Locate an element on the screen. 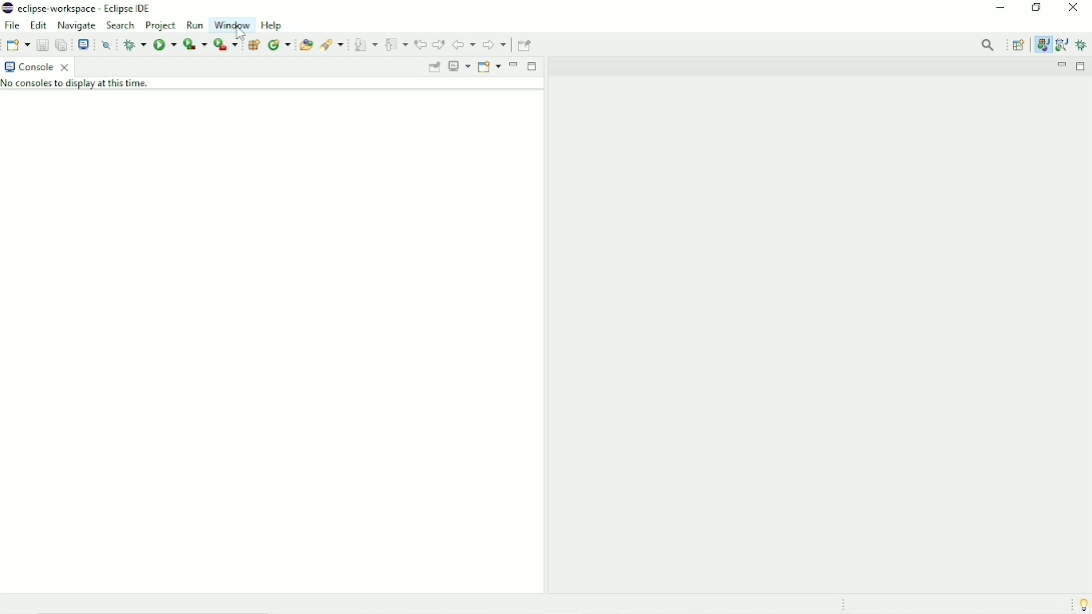  Next Annotation is located at coordinates (365, 45).